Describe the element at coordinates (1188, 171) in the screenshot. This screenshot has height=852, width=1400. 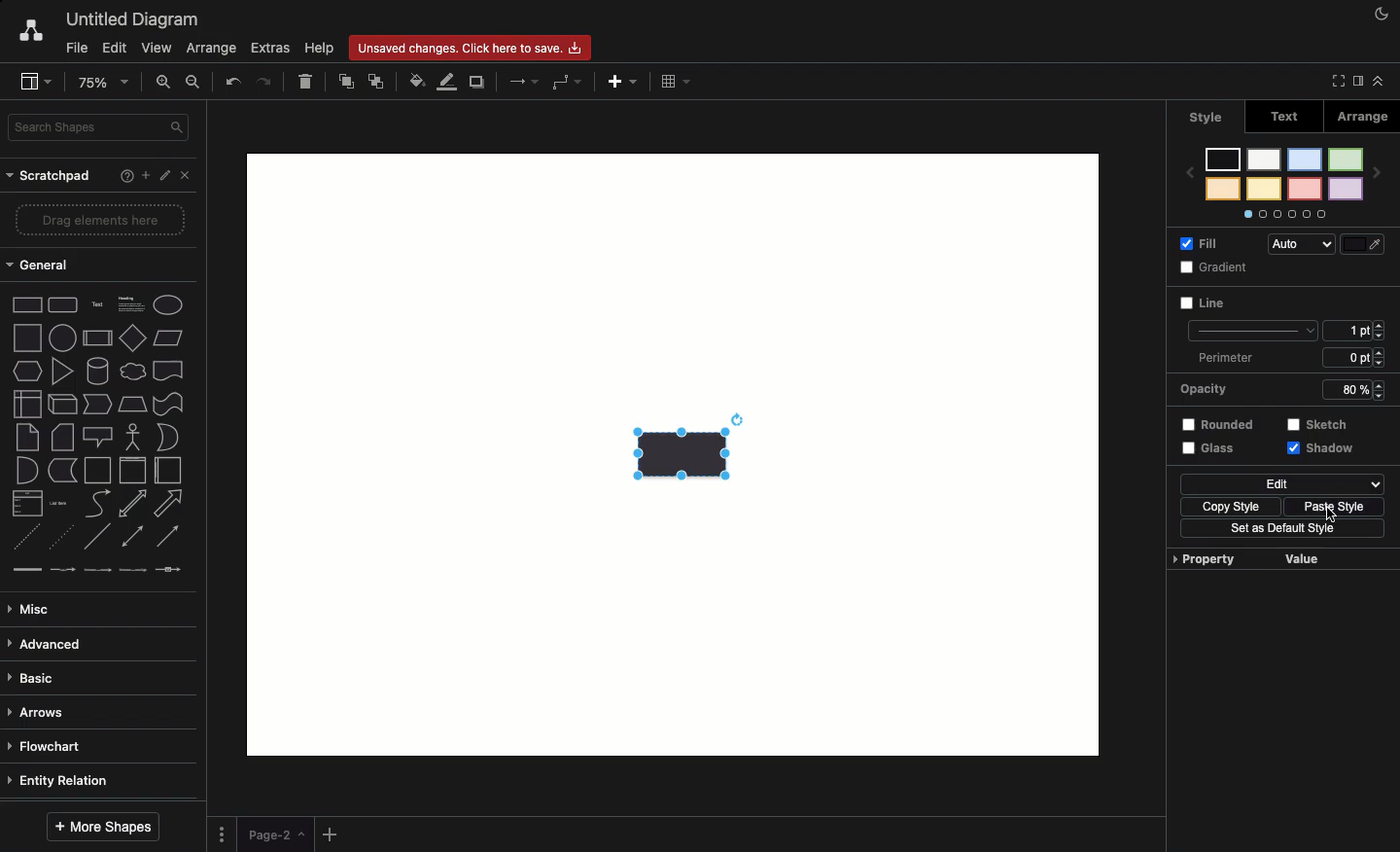
I see `previous` at that location.